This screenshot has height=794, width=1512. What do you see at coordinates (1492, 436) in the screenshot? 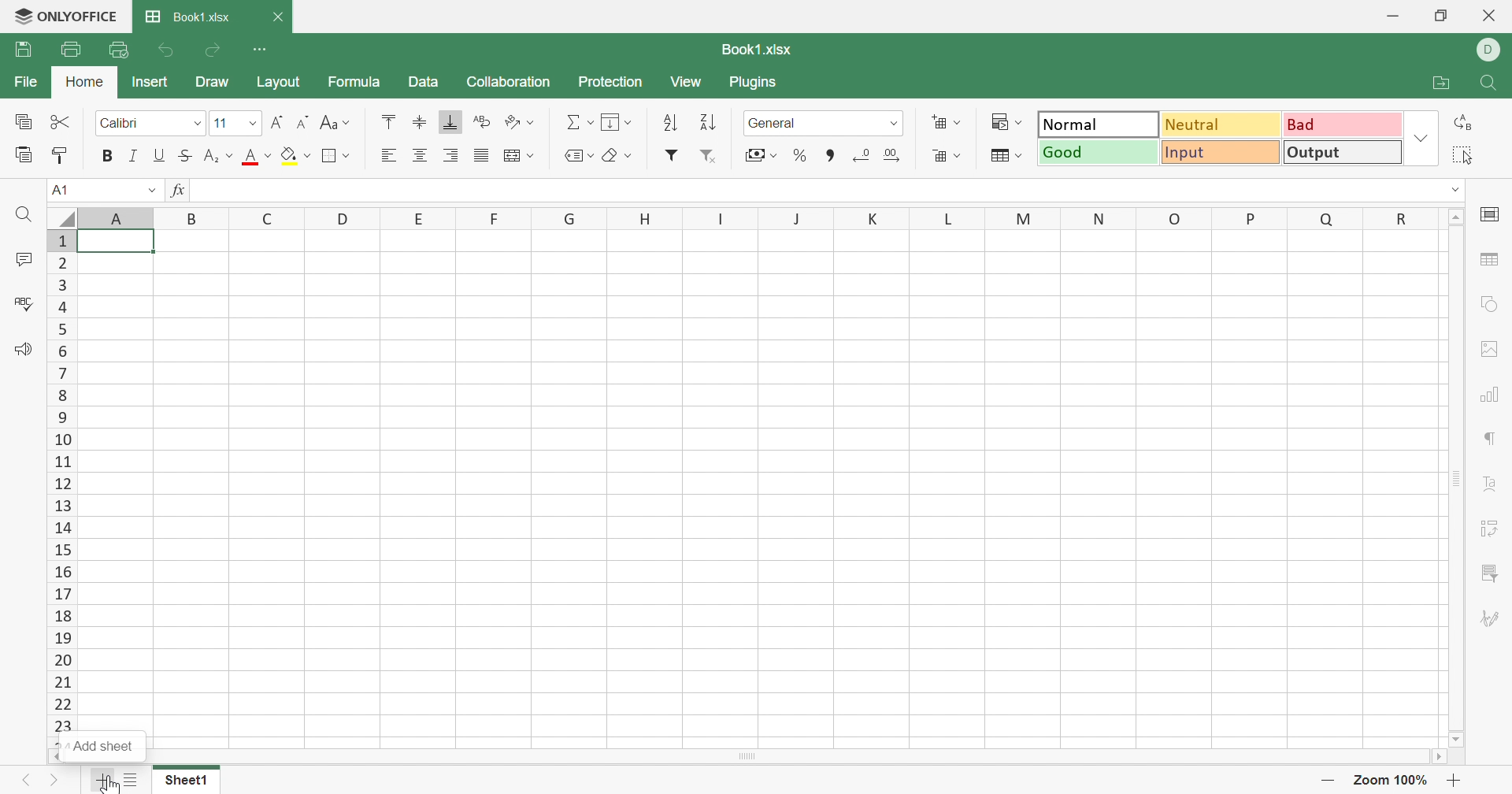
I see `Paragraph settings` at bounding box center [1492, 436].